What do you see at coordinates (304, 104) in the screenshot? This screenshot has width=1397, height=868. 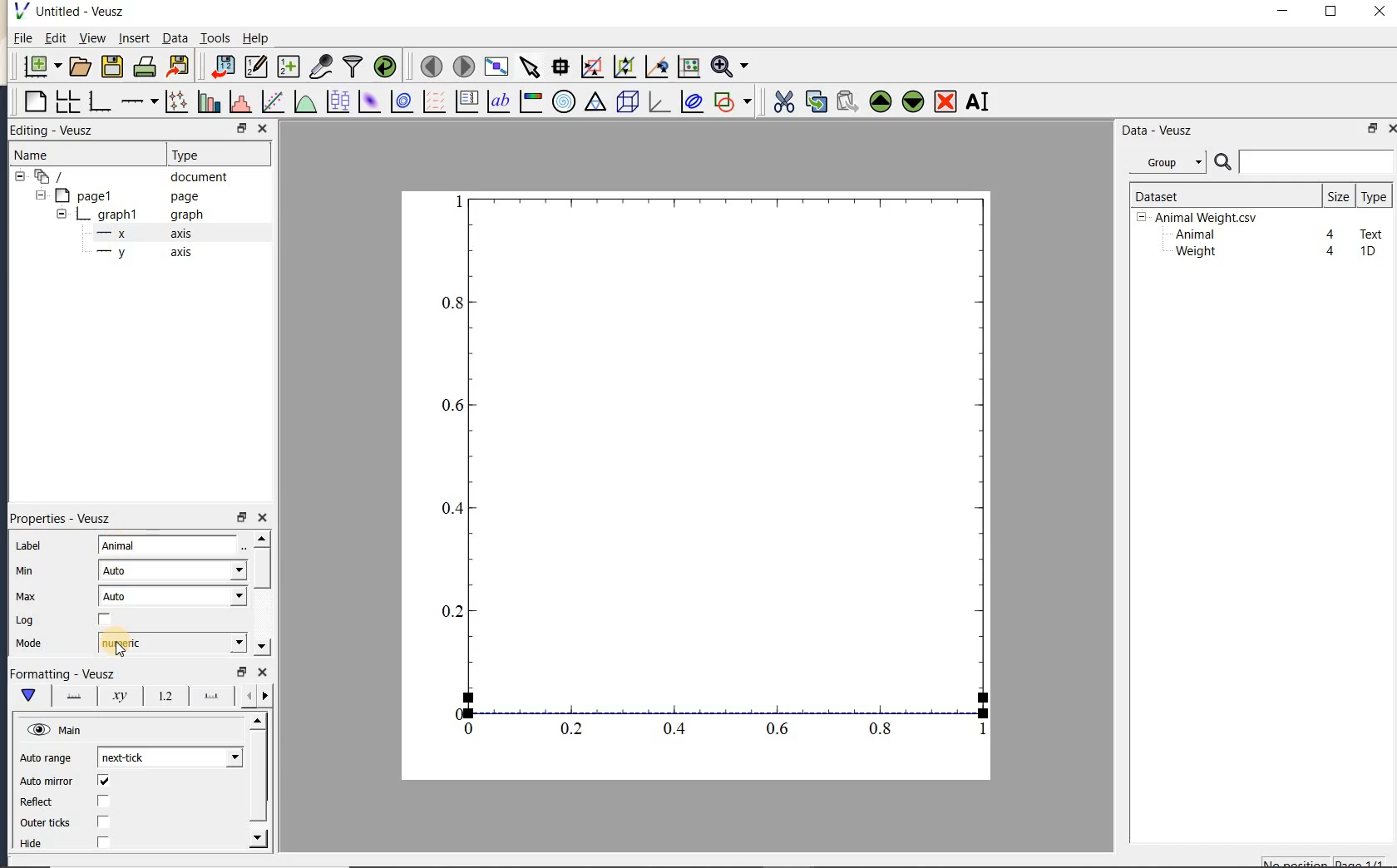 I see `plot a function` at bounding box center [304, 104].